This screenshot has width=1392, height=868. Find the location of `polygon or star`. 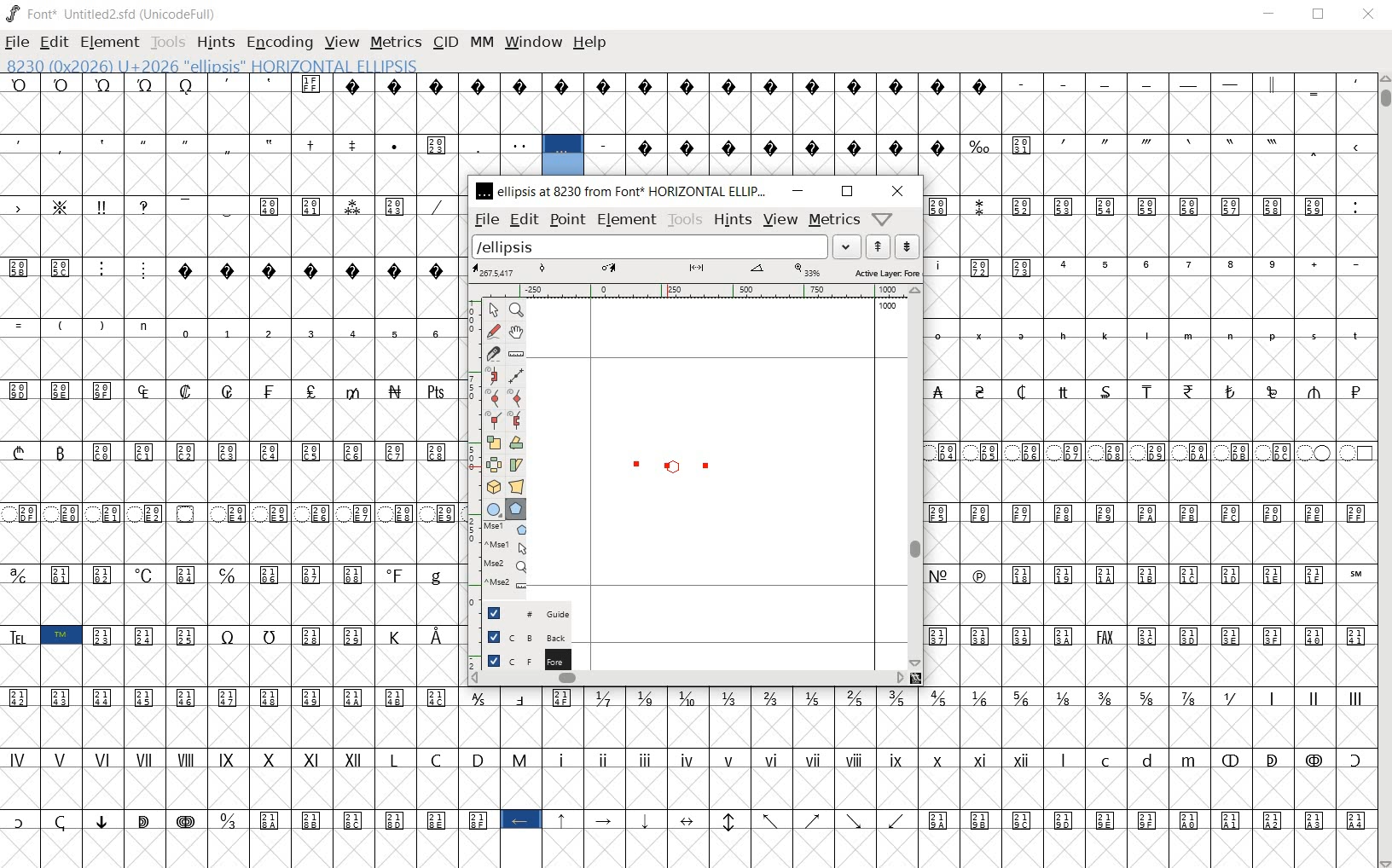

polygon or star is located at coordinates (515, 510).